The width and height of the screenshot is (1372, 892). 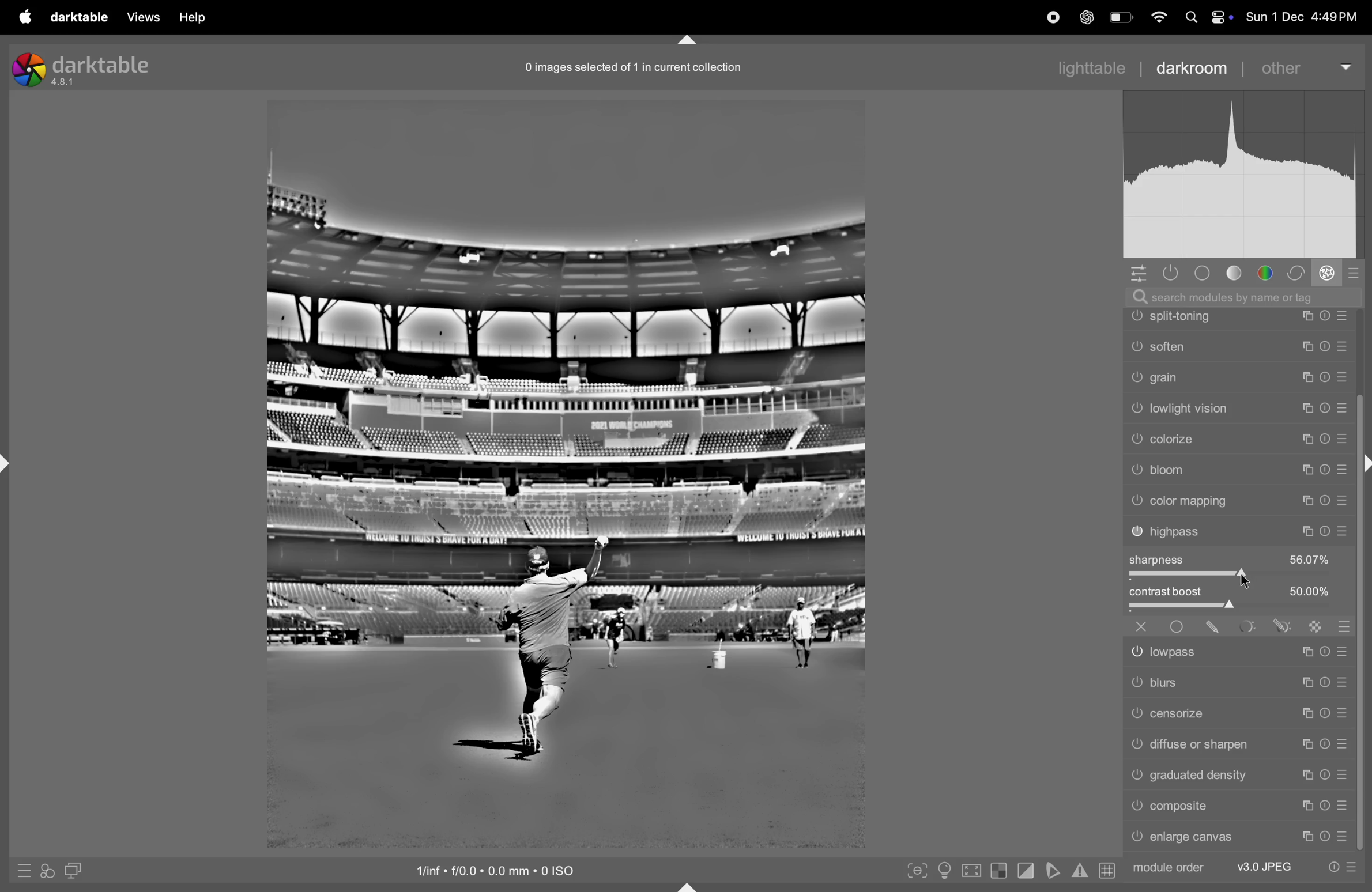 What do you see at coordinates (1301, 69) in the screenshot?
I see `other` at bounding box center [1301, 69].